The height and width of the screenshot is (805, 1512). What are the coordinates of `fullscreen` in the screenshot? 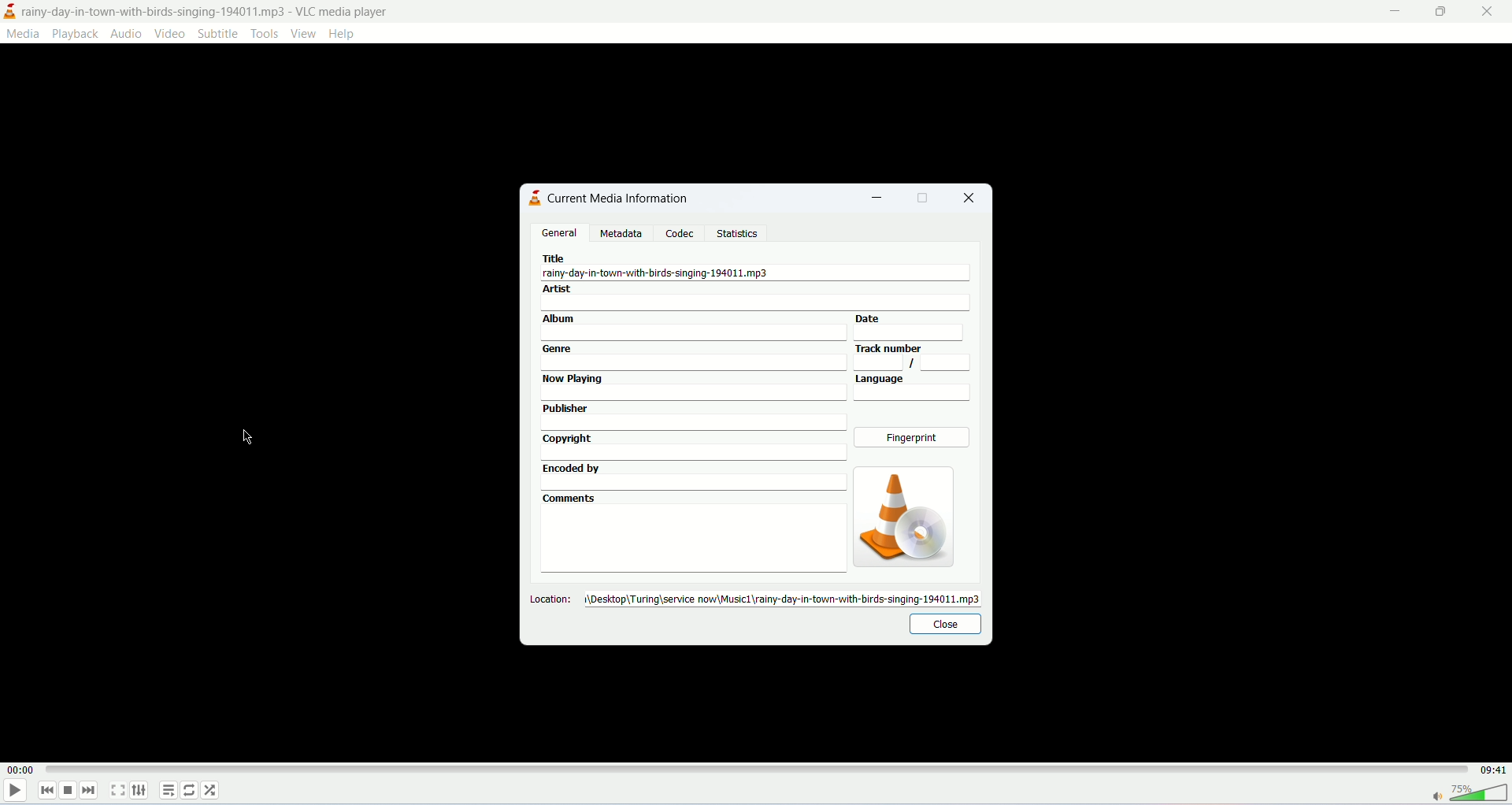 It's located at (119, 789).